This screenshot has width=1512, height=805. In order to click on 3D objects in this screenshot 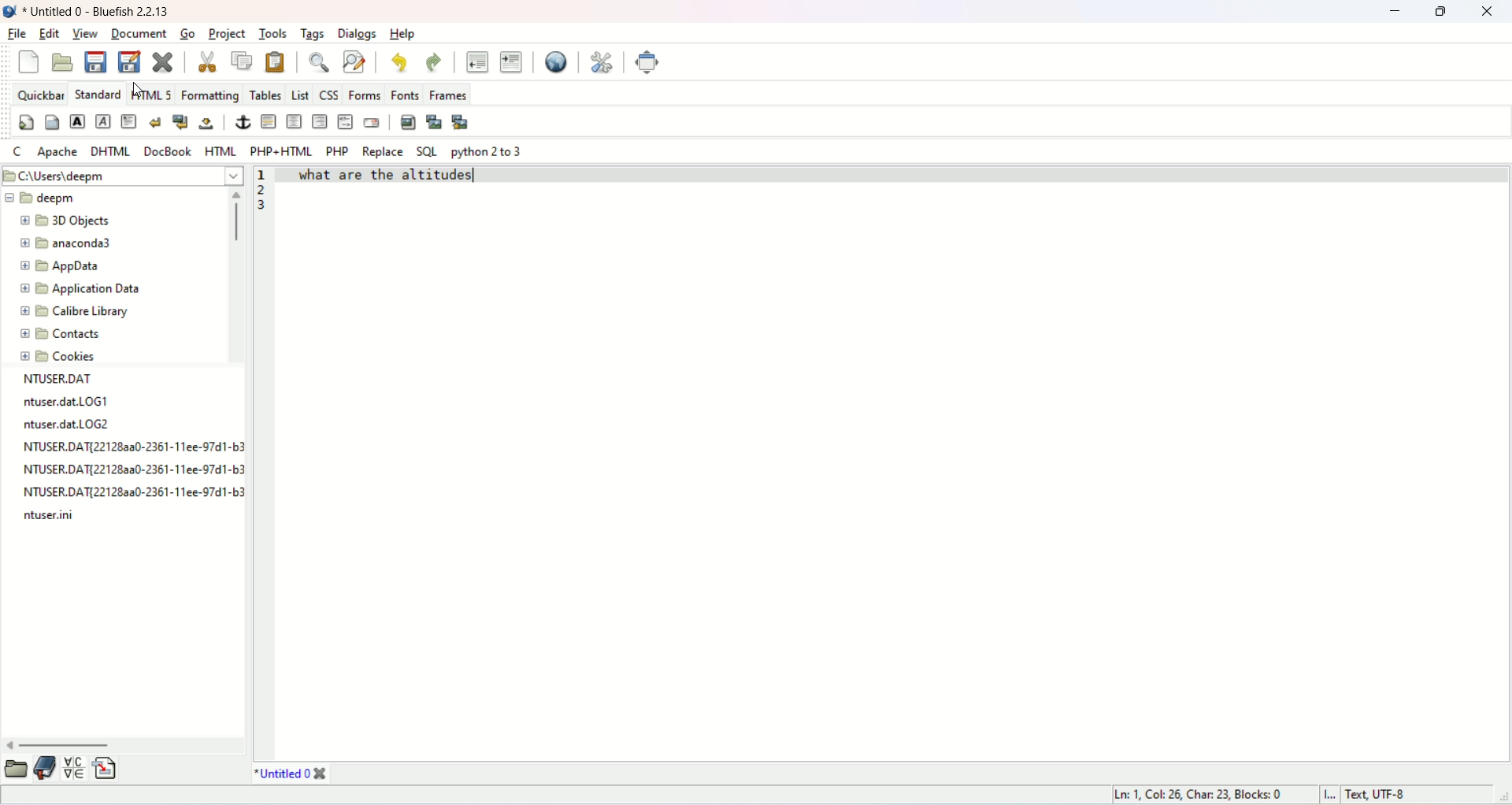, I will do `click(64, 222)`.